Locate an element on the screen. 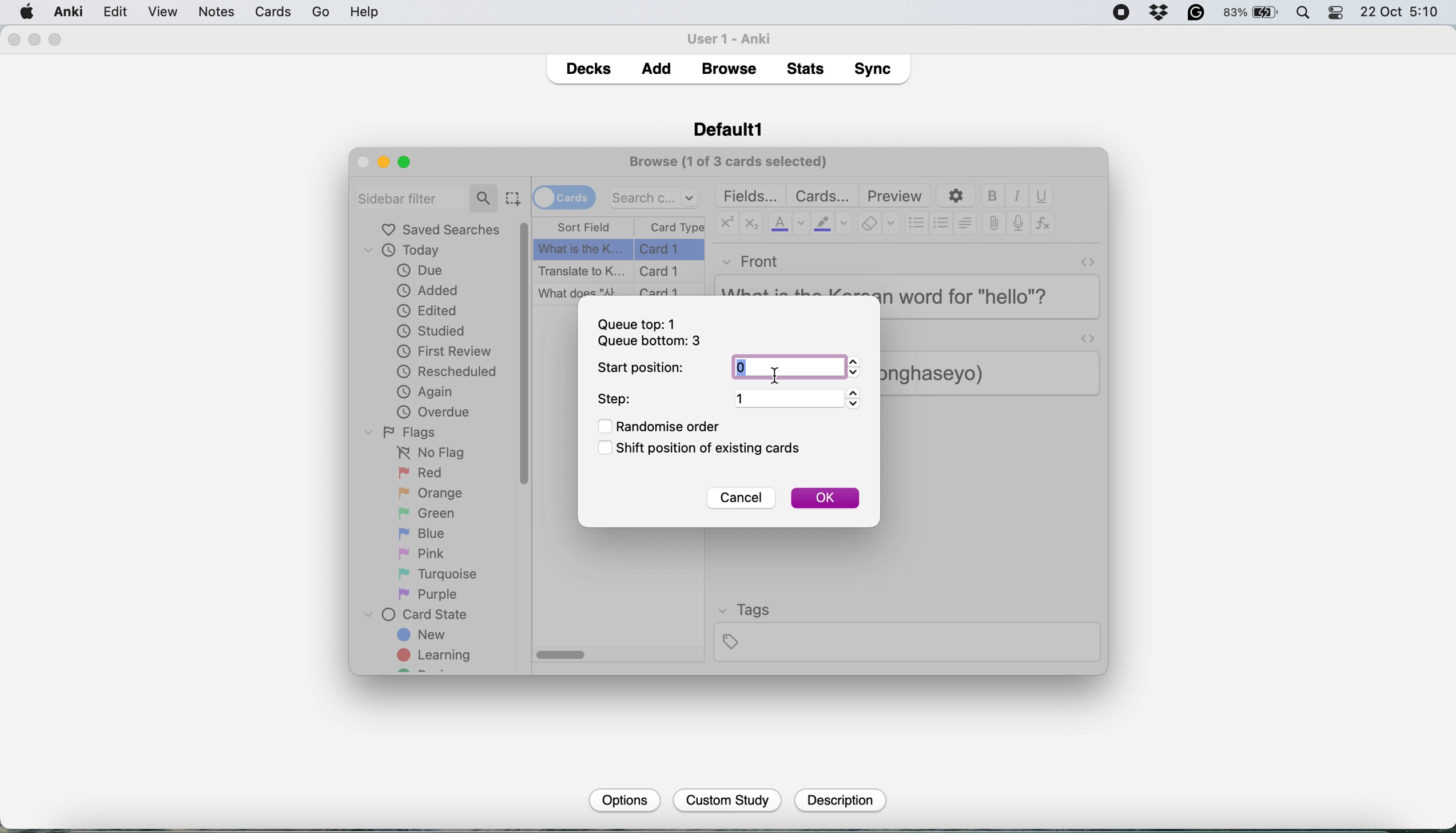 The width and height of the screenshot is (1456, 833). again is located at coordinates (425, 392).